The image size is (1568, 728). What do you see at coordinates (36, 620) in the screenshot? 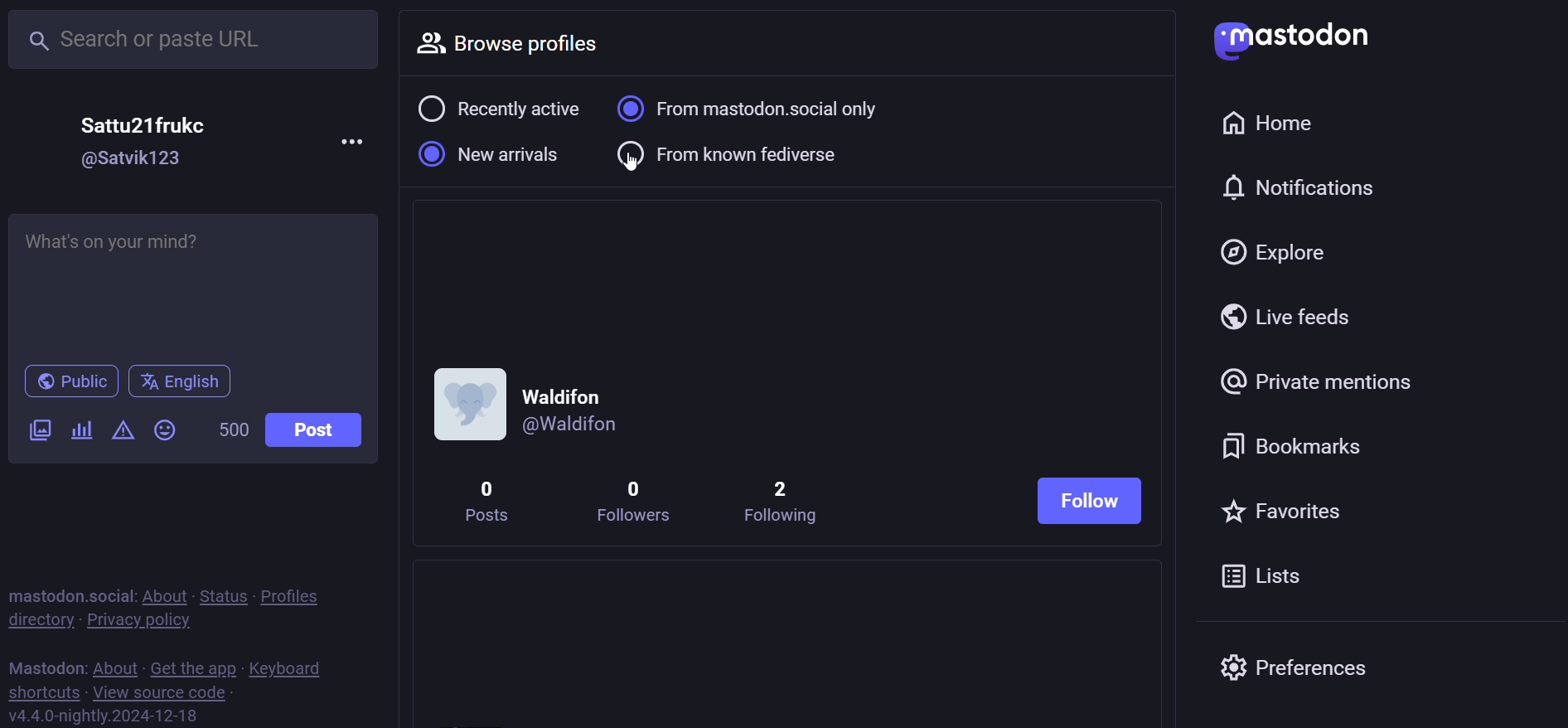
I see `directory` at bounding box center [36, 620].